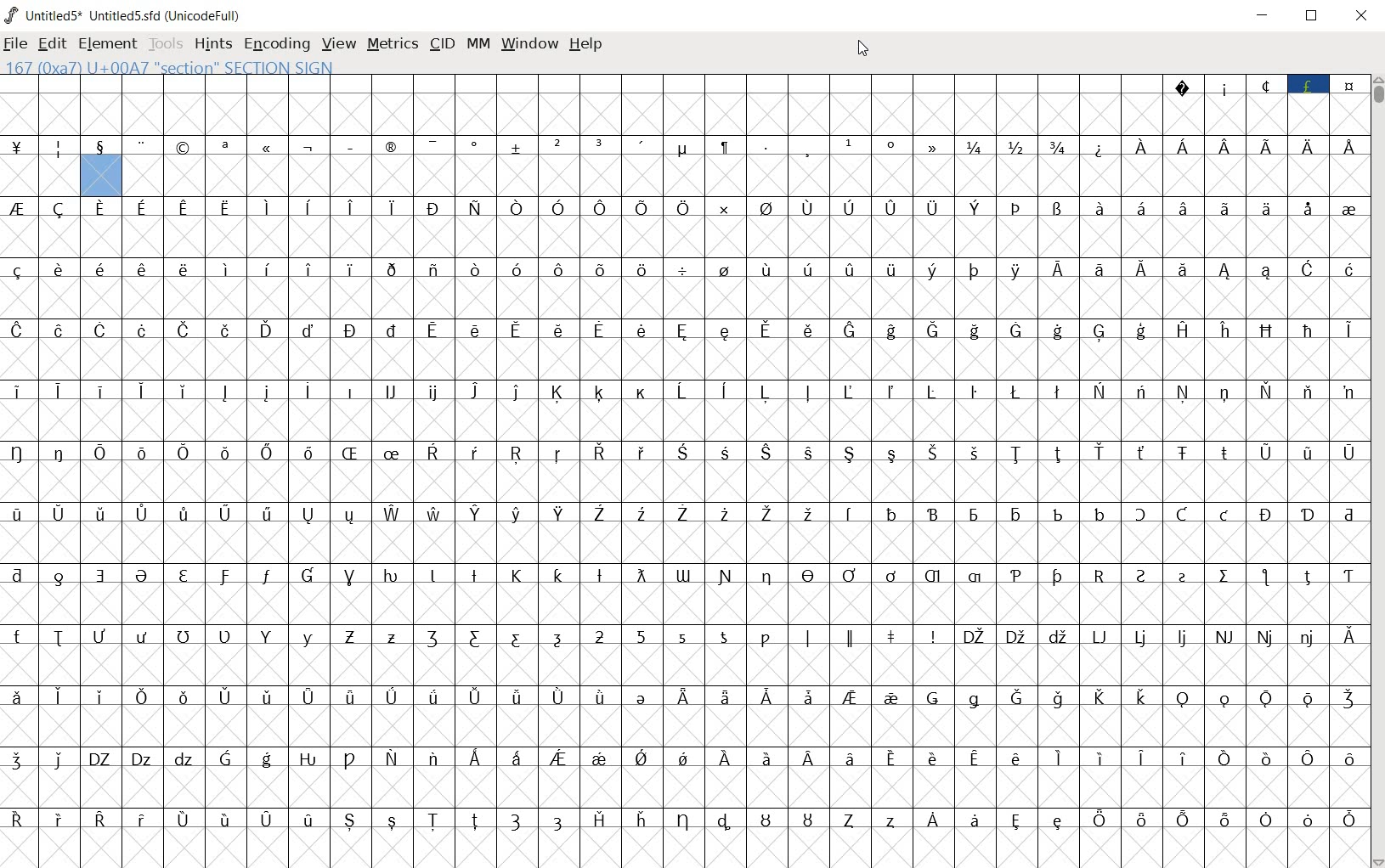 Image resolution: width=1385 pixels, height=868 pixels. Describe the element at coordinates (685, 603) in the screenshot. I see `empty cells` at that location.